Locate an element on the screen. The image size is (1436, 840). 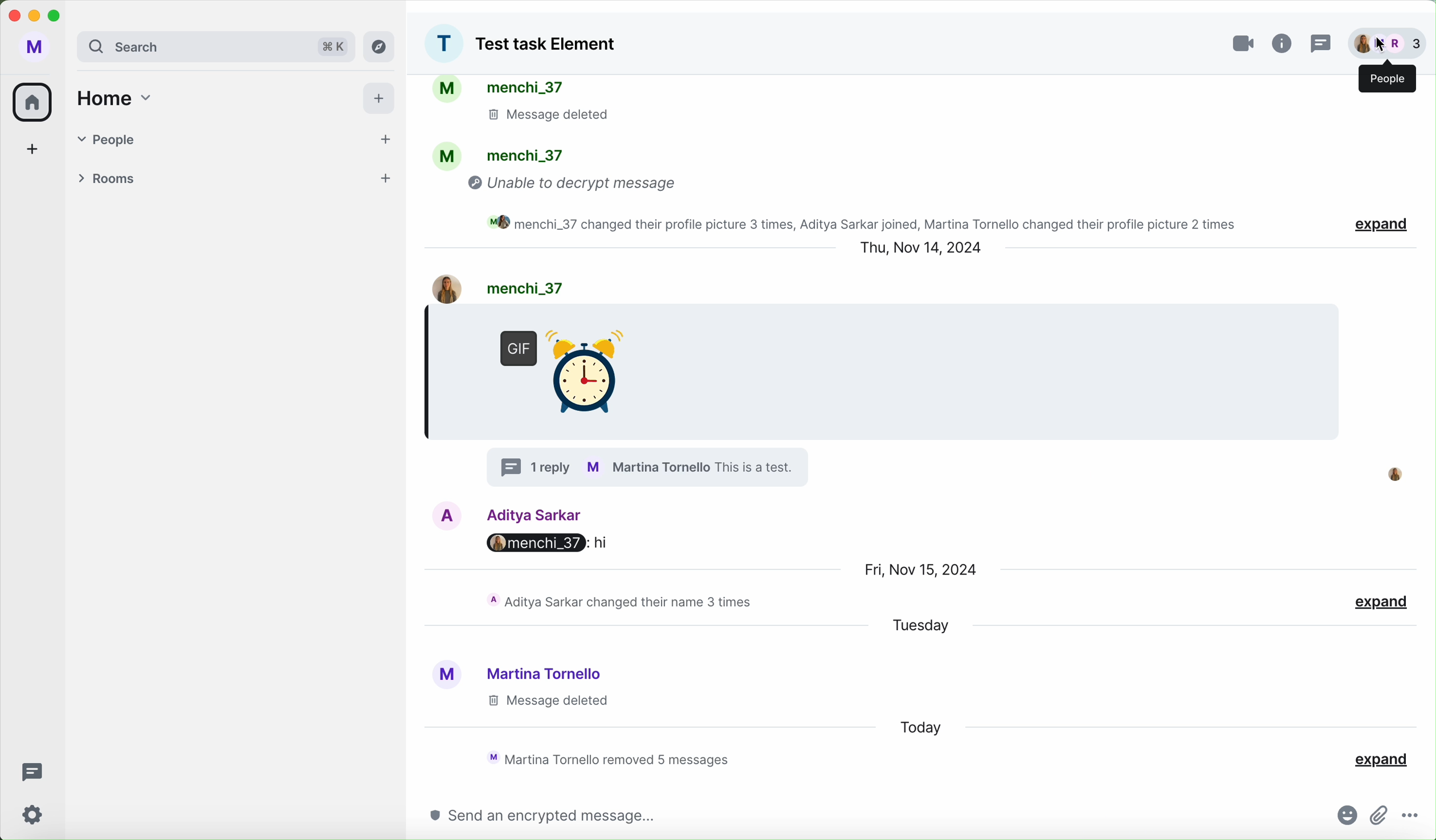
unable to decrypt message is located at coordinates (577, 185).